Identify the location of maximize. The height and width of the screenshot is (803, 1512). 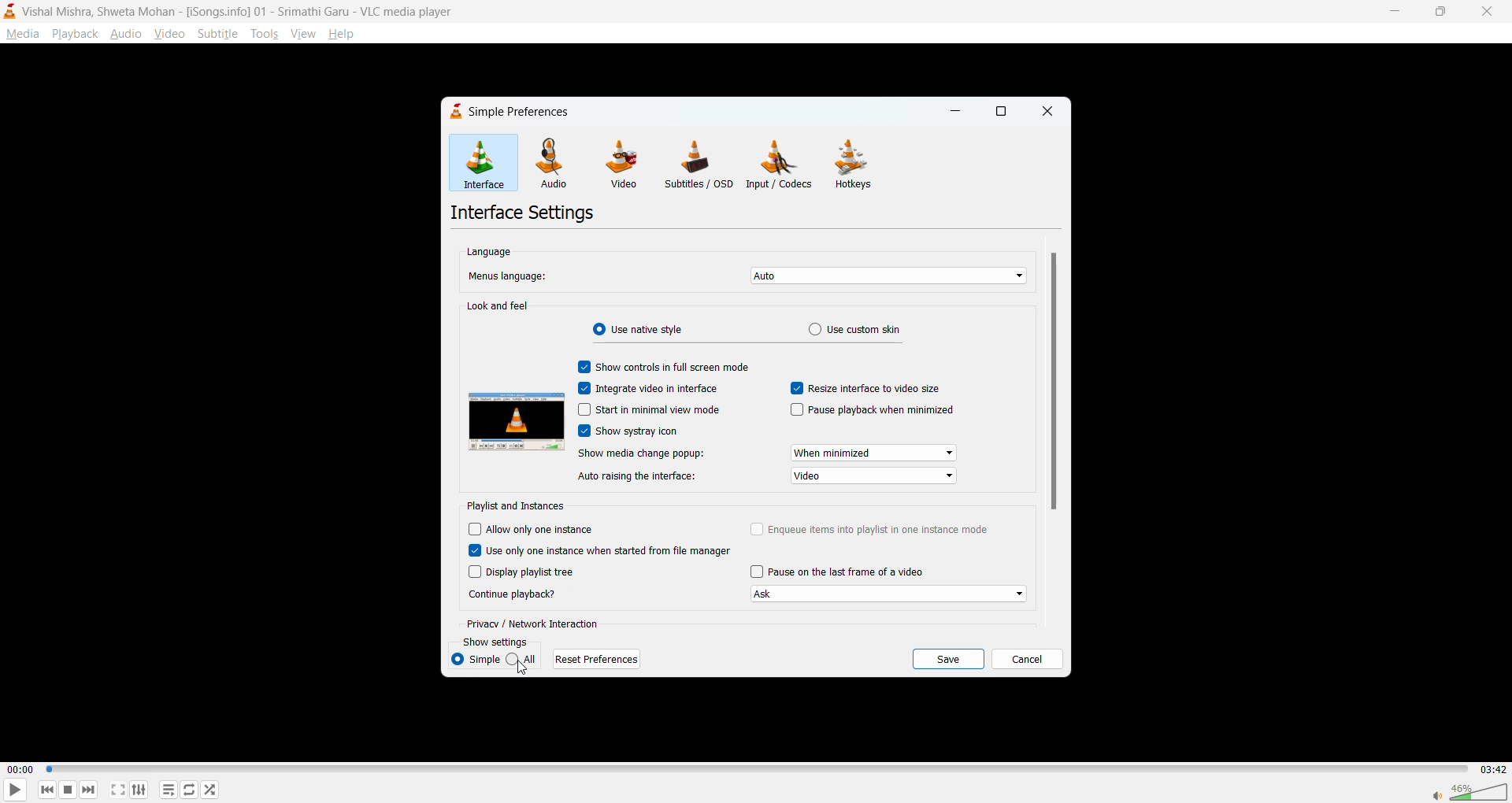
(1002, 113).